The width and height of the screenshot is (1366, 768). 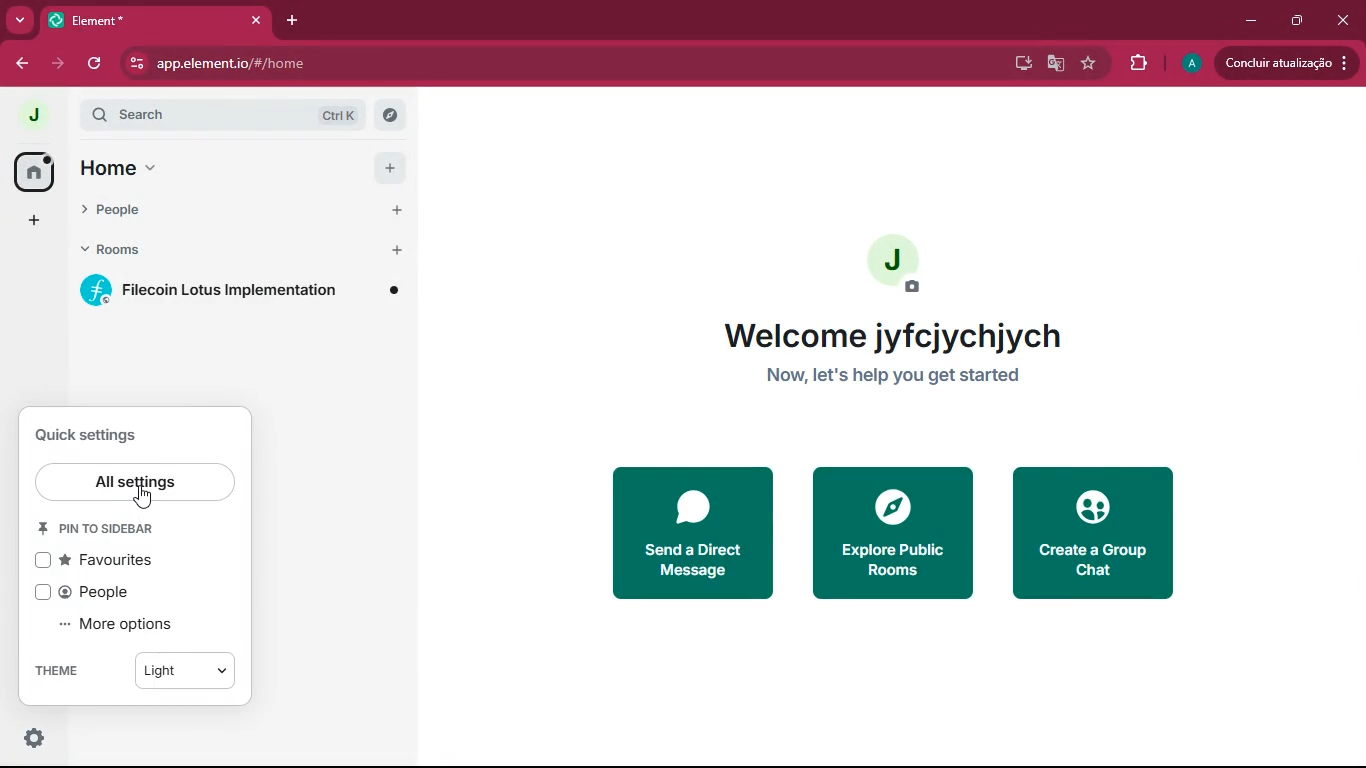 I want to click on profile picture, so click(x=900, y=267).